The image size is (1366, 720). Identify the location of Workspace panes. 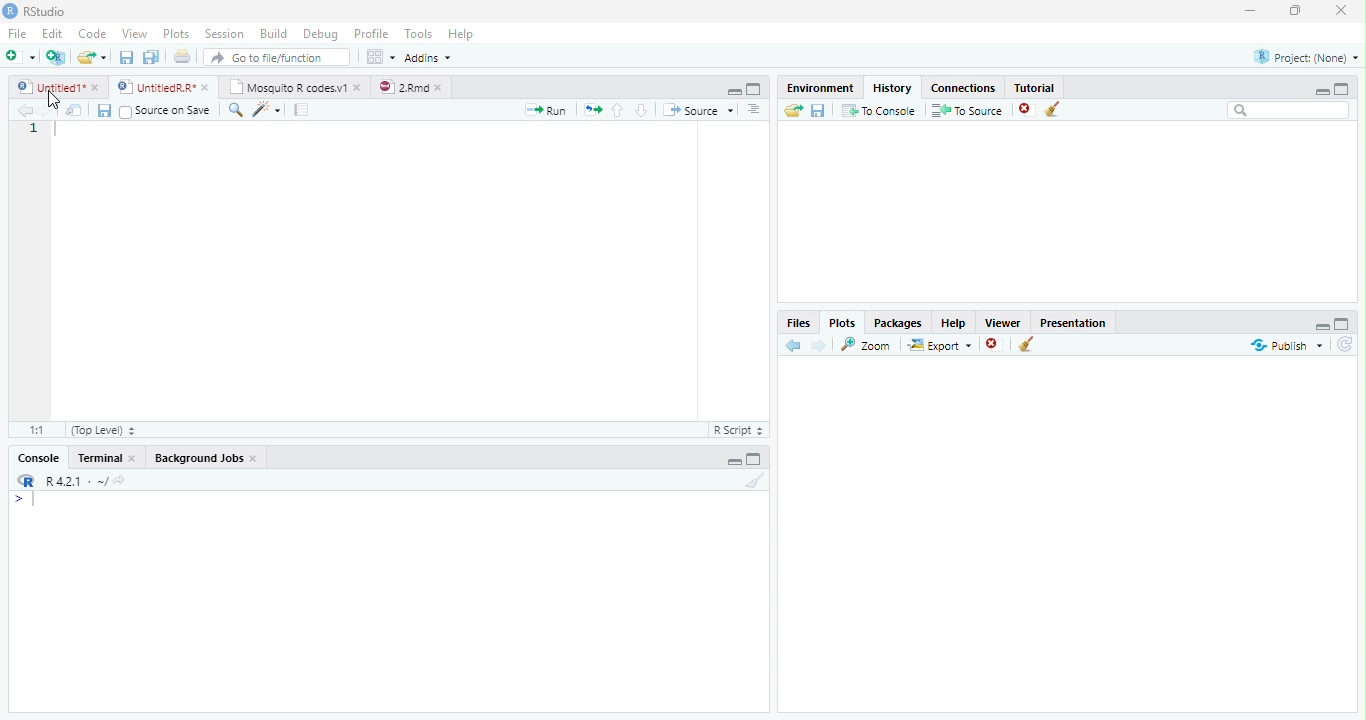
(379, 57).